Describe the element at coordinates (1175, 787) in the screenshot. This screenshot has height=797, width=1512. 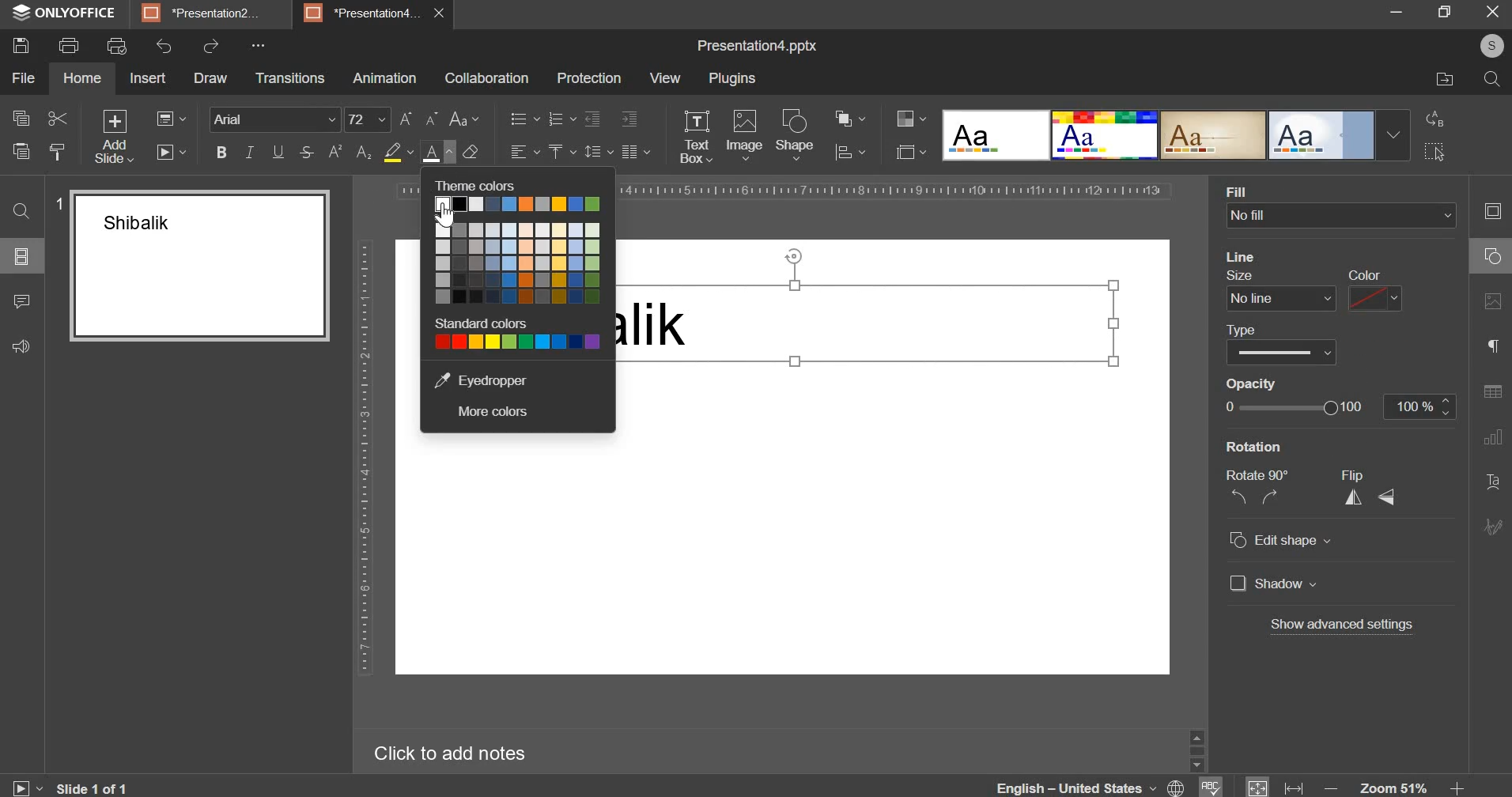
I see `language` at that location.